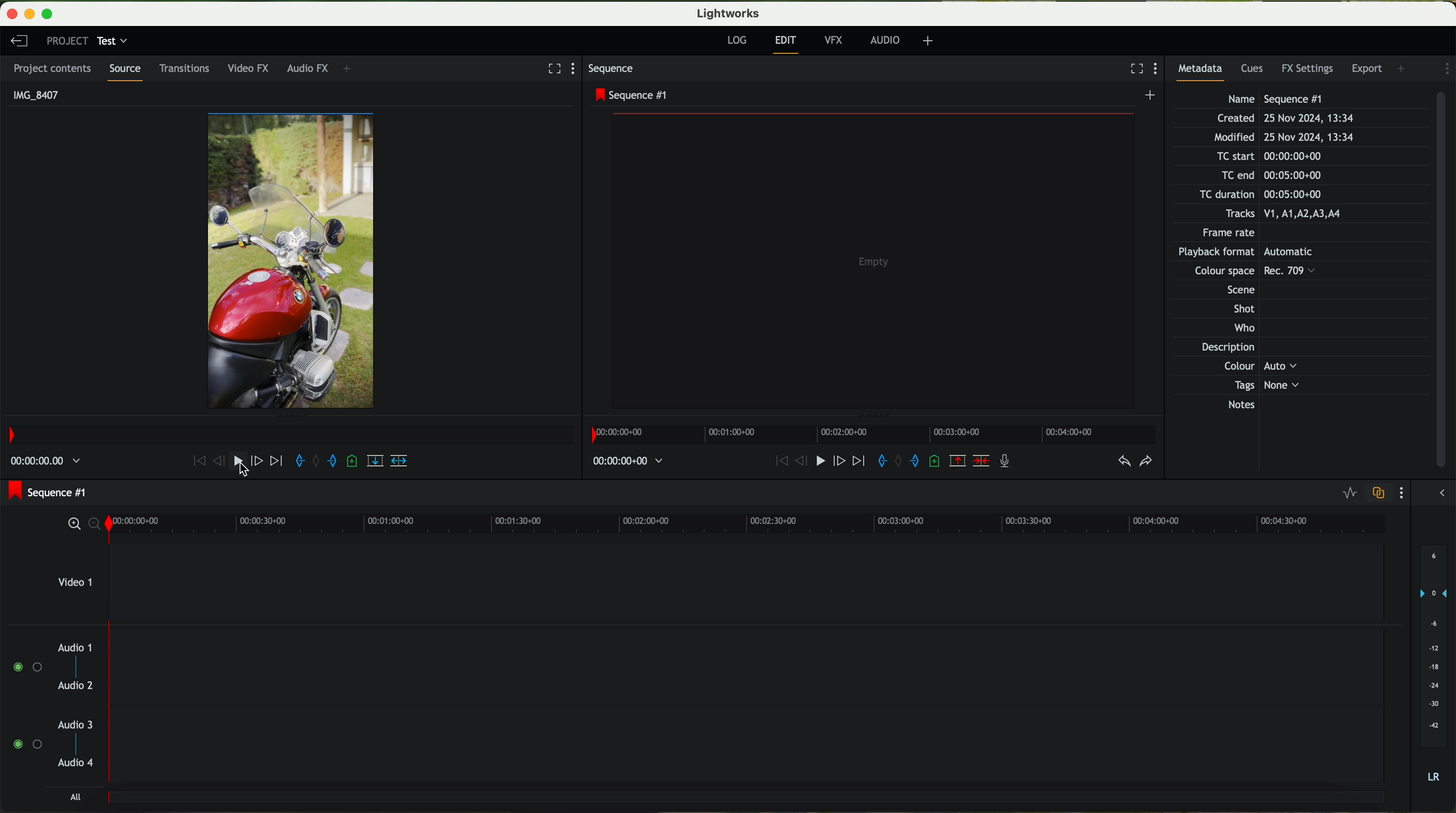  Describe the element at coordinates (872, 434) in the screenshot. I see `timeline` at that location.